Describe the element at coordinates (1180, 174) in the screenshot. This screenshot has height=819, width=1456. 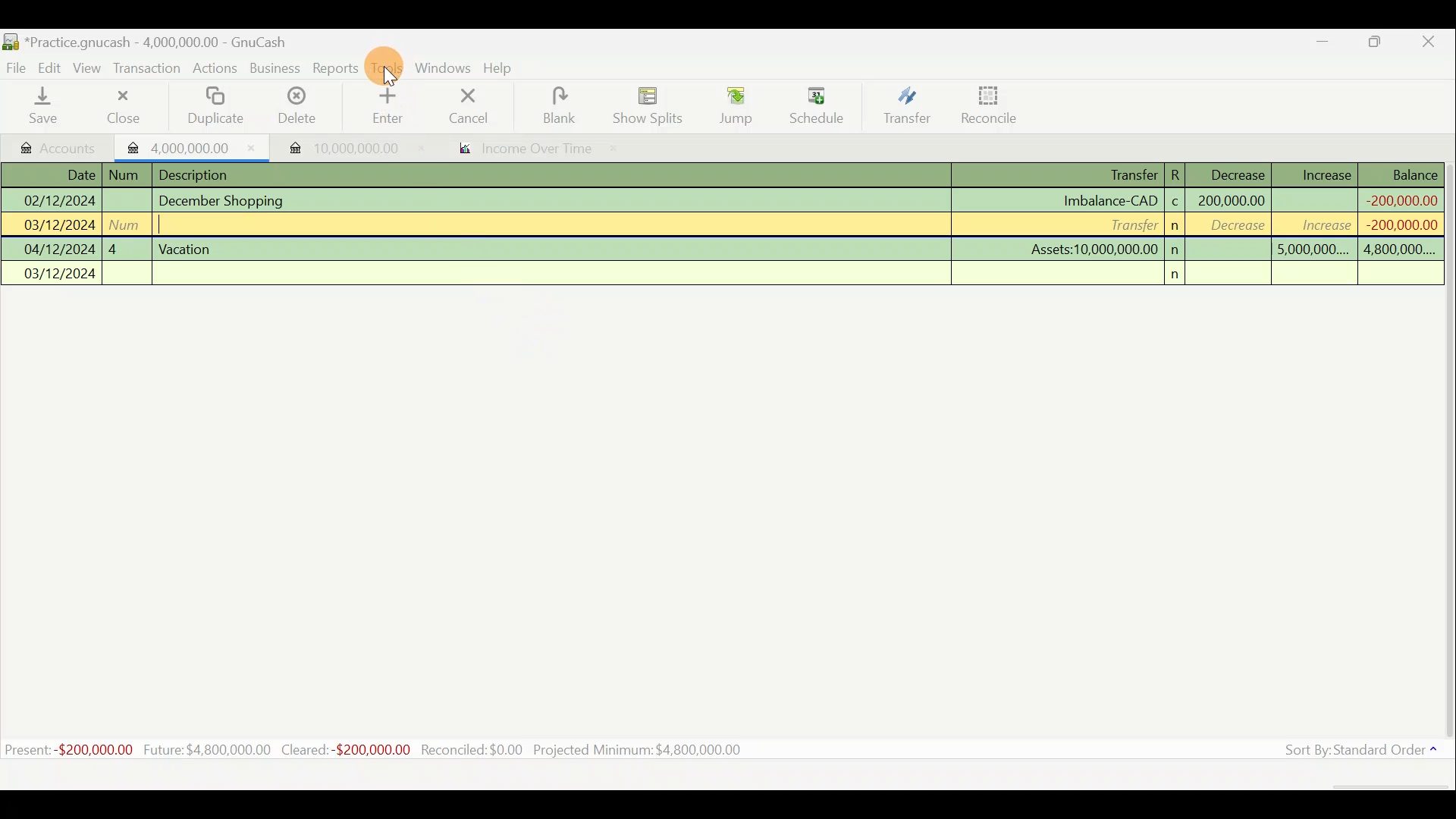
I see `R` at that location.